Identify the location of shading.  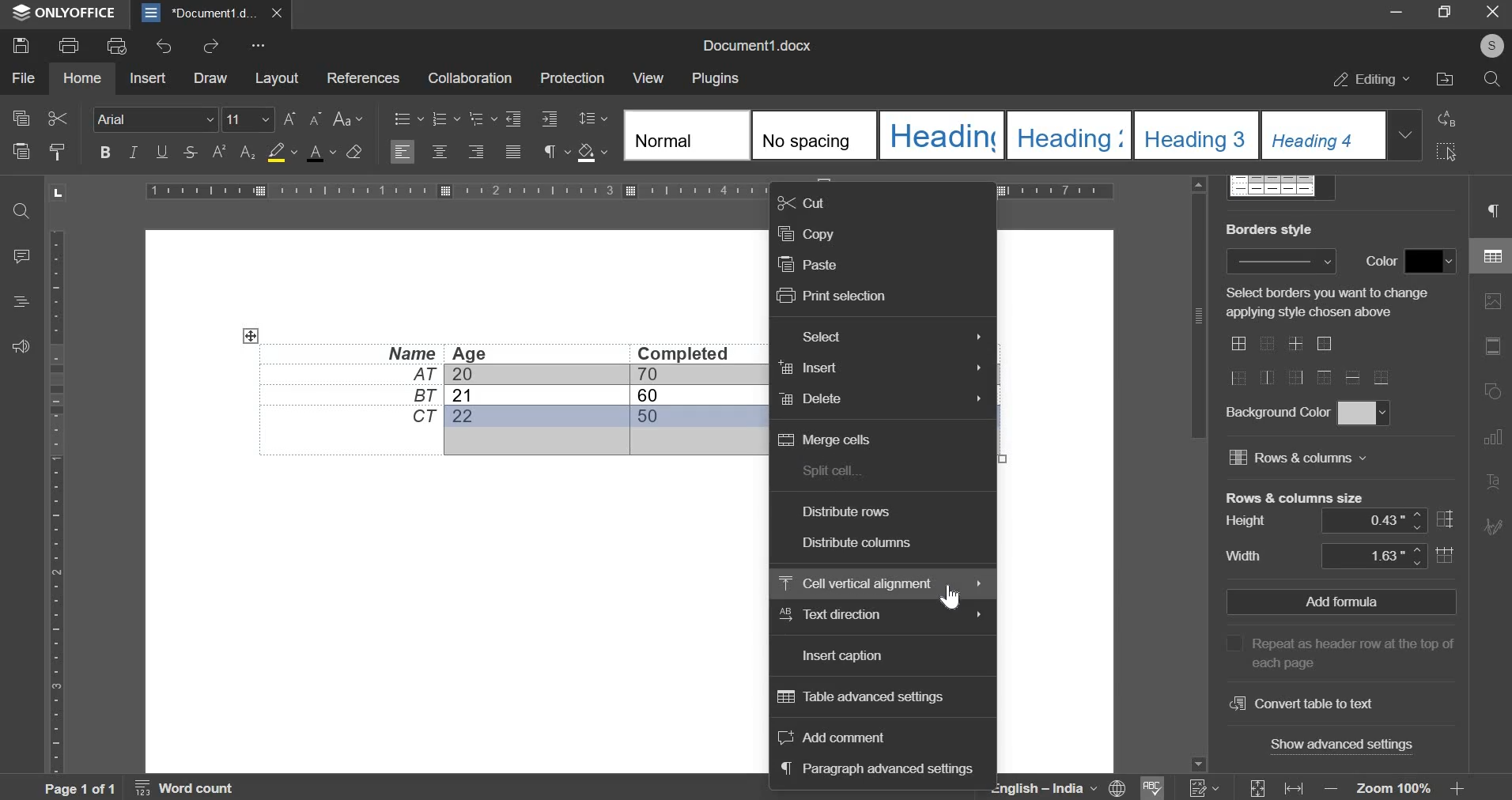
(587, 152).